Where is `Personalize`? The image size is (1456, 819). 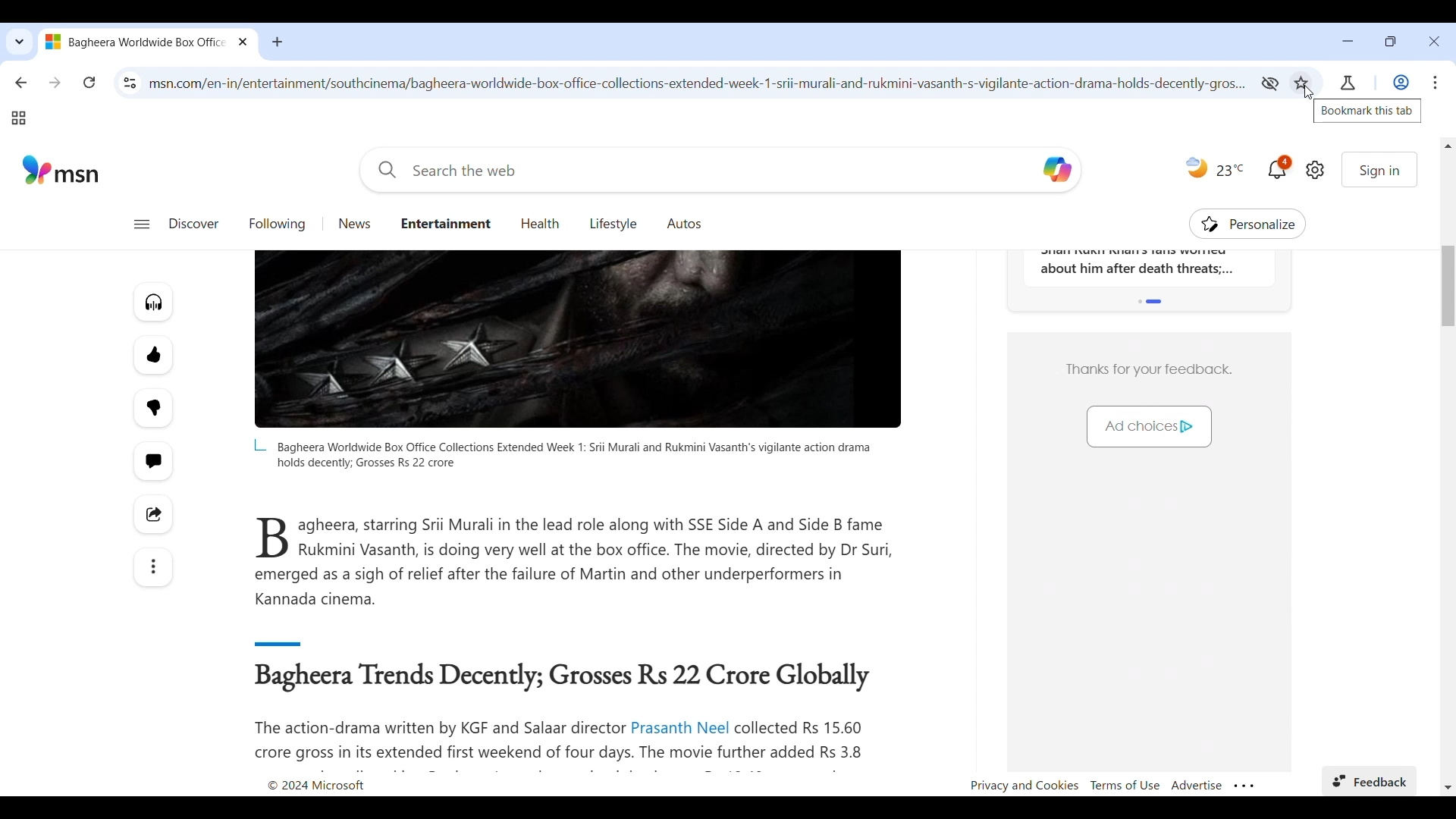
Personalize is located at coordinates (1248, 224).